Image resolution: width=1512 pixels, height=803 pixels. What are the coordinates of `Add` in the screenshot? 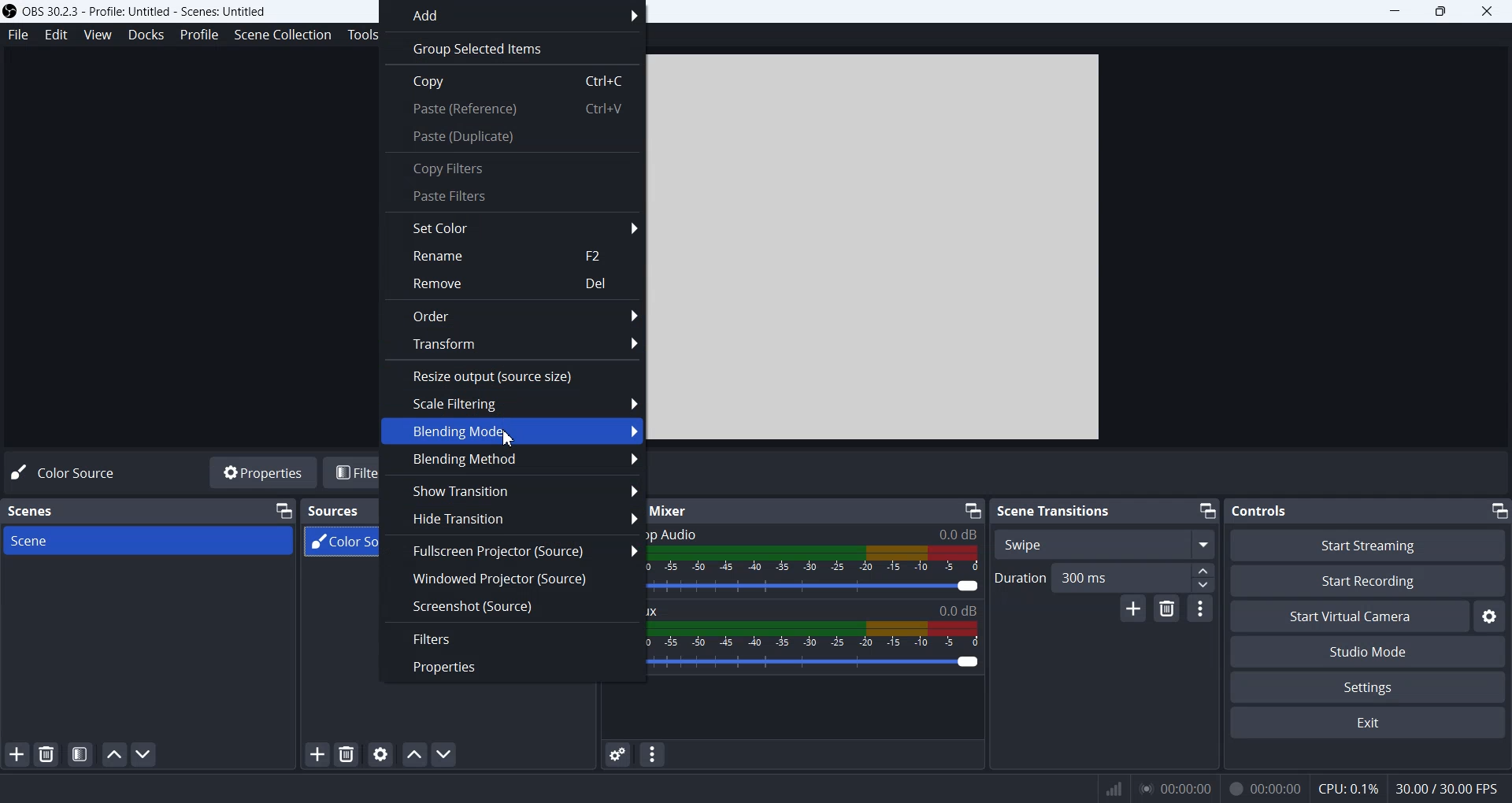 It's located at (515, 15).